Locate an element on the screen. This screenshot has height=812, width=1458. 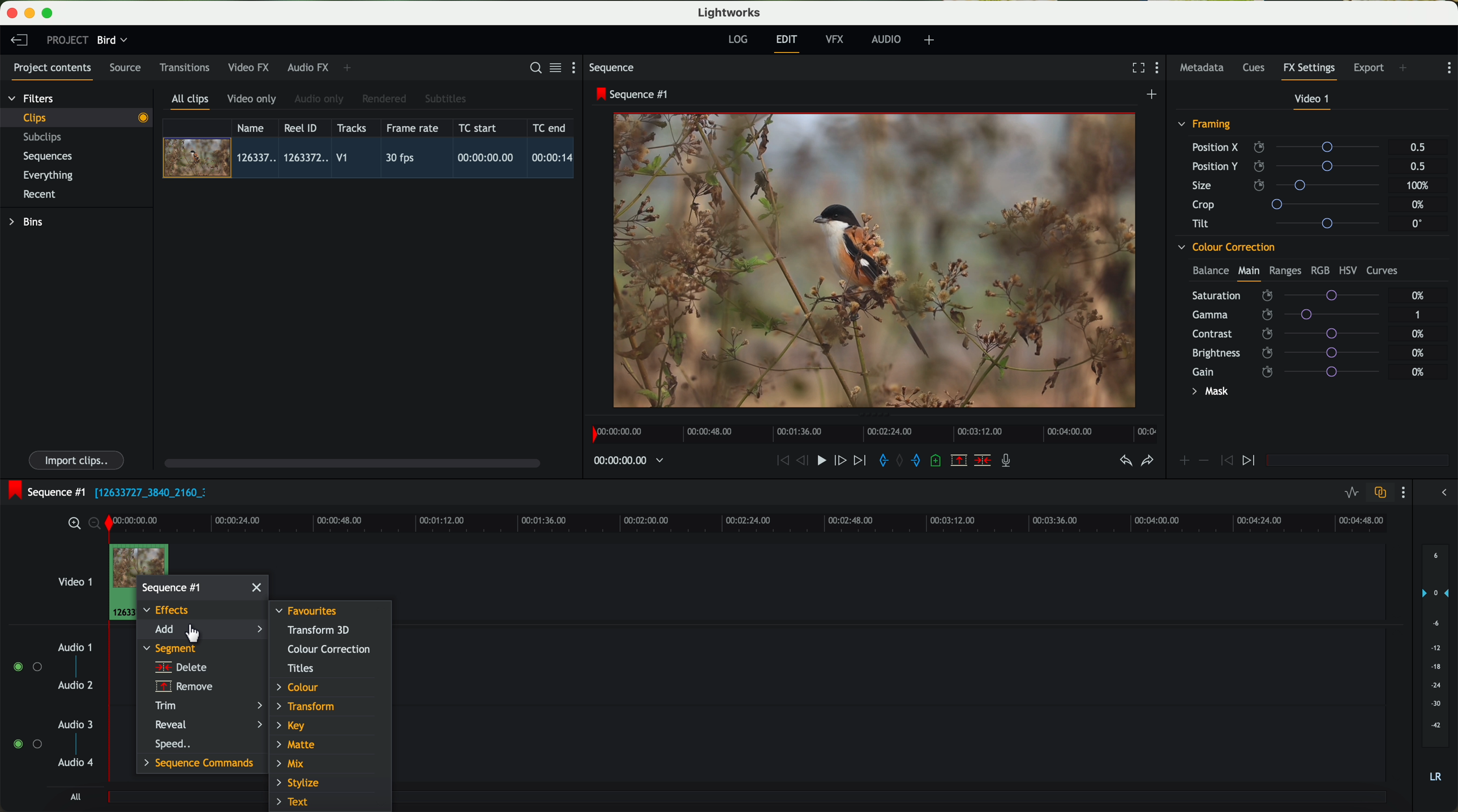
effects is located at coordinates (167, 609).